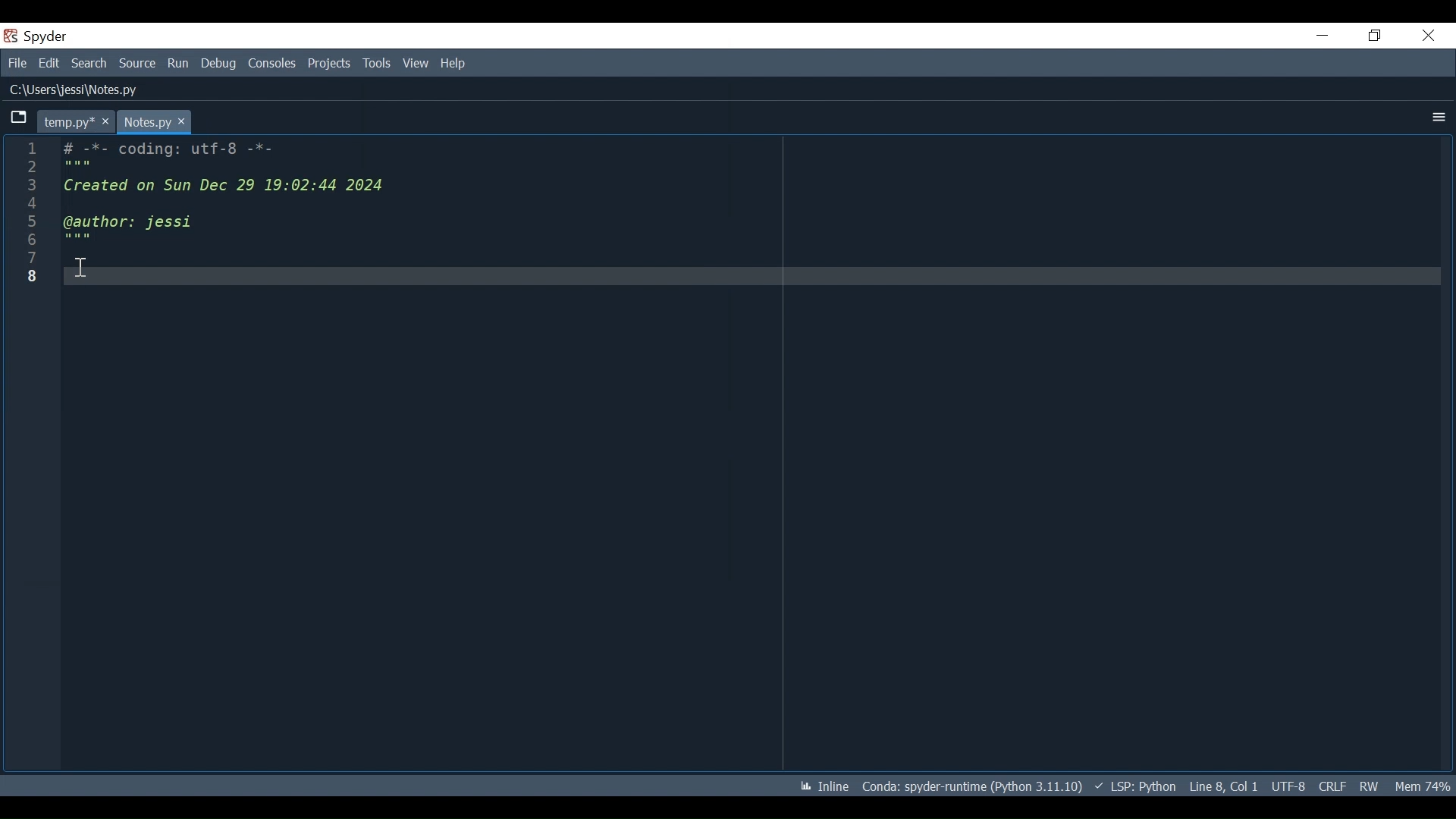 This screenshot has width=1456, height=819. Describe the element at coordinates (1223, 786) in the screenshot. I see `Cursor Position` at that location.